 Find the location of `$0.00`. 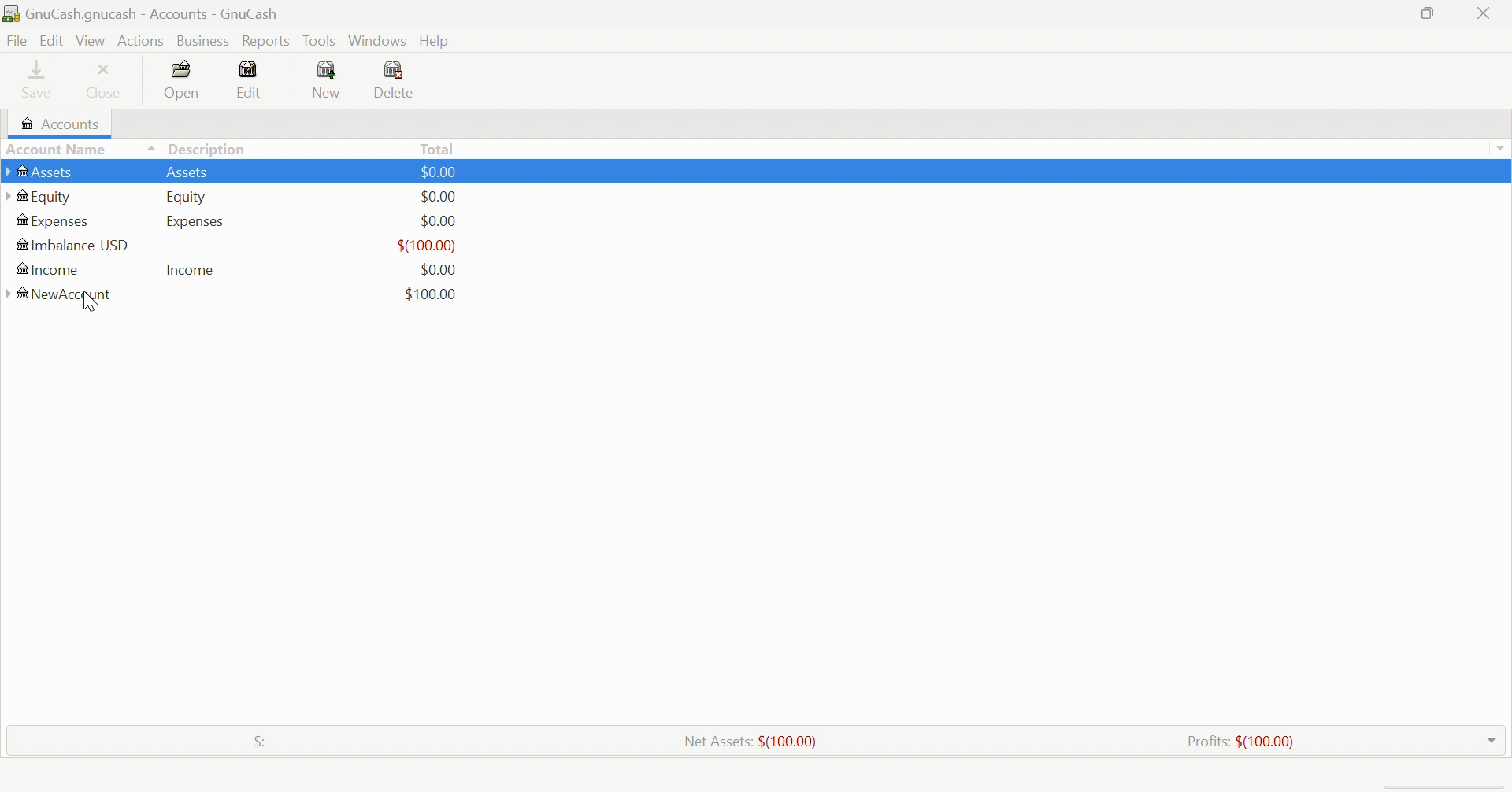

$0.00 is located at coordinates (438, 269).